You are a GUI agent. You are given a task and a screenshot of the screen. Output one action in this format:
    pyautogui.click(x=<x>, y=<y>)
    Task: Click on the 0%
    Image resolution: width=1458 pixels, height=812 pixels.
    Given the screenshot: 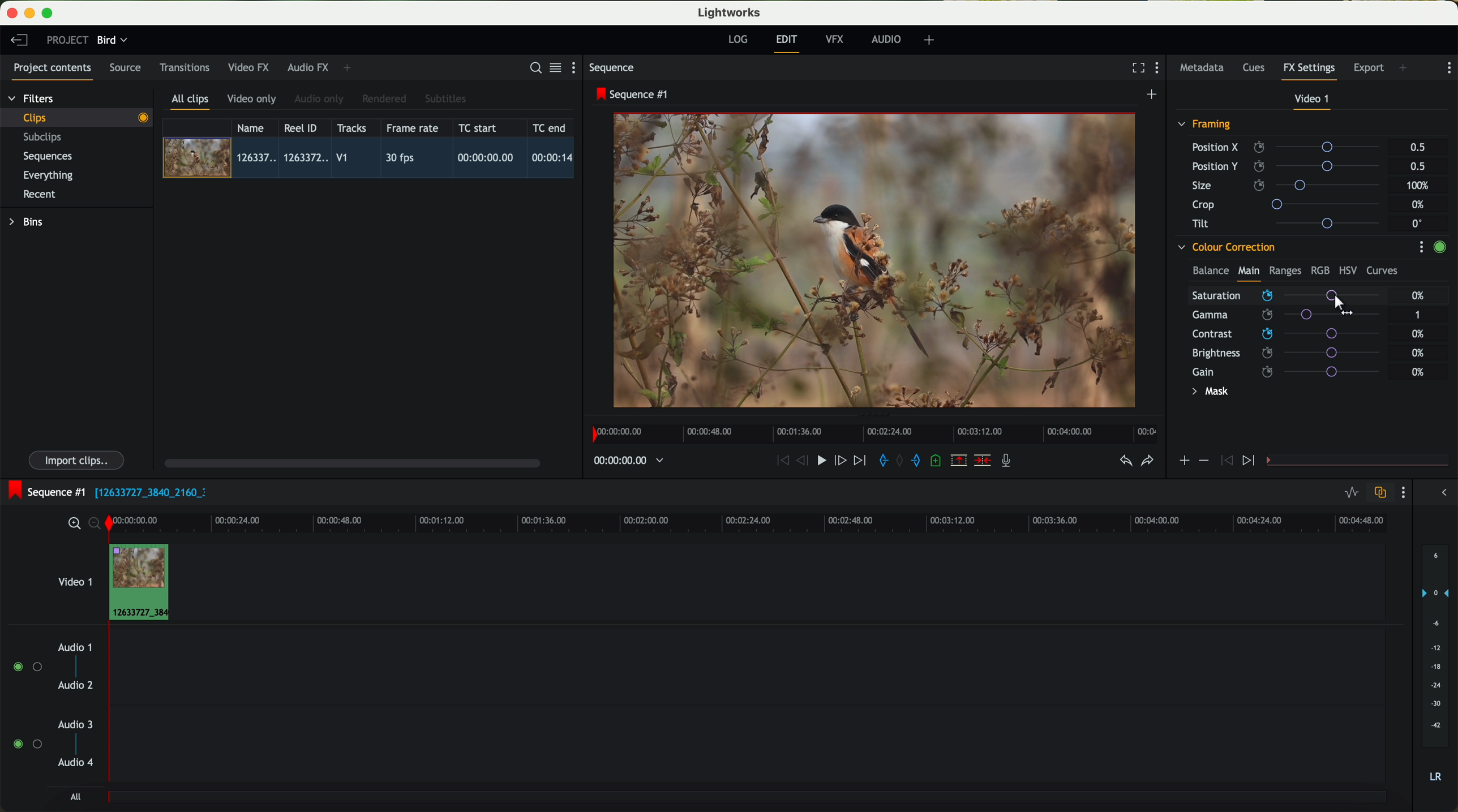 What is the action you would take?
    pyautogui.click(x=1418, y=351)
    